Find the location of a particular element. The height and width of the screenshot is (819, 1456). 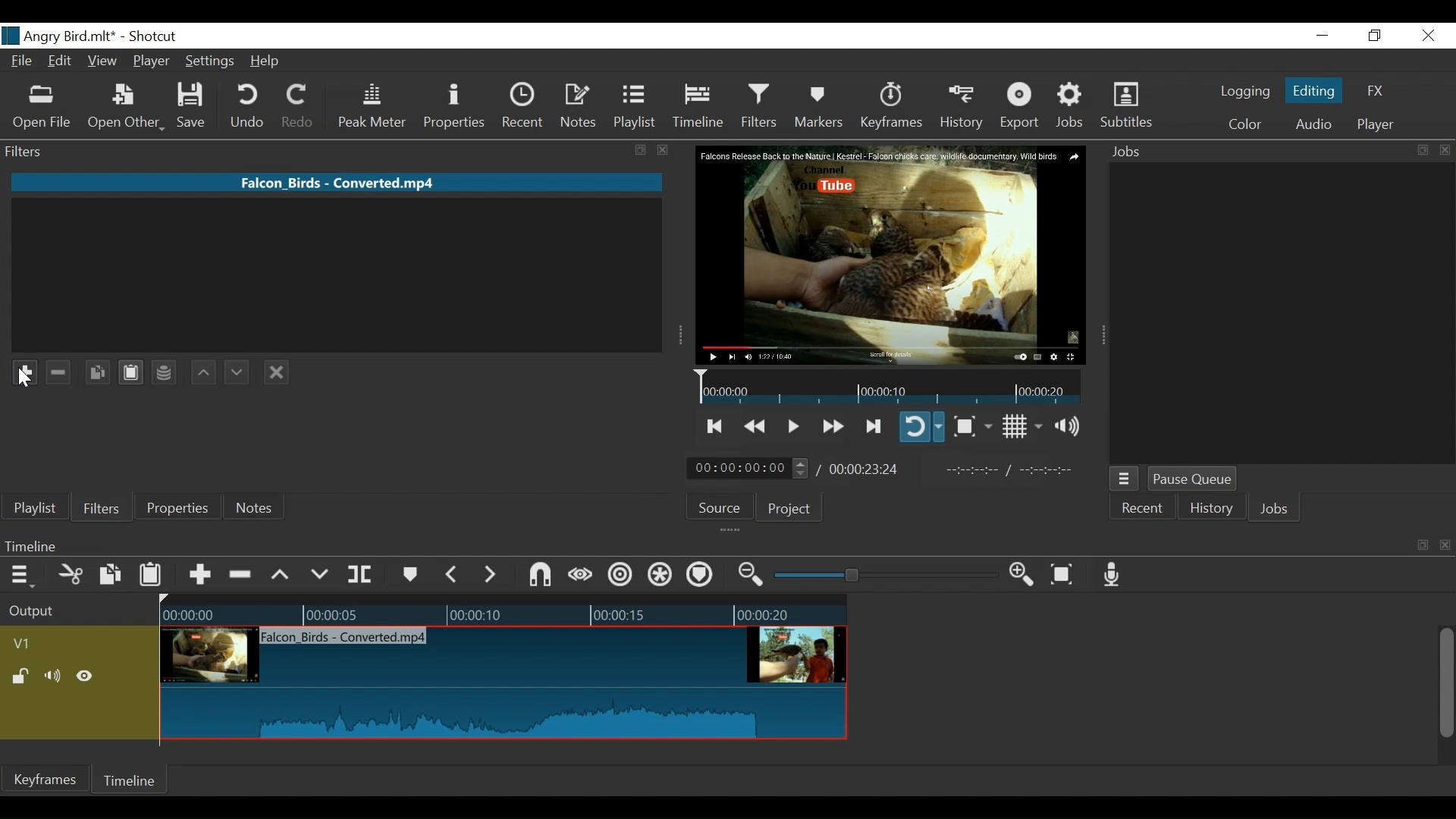

Play backward quickly is located at coordinates (757, 427).